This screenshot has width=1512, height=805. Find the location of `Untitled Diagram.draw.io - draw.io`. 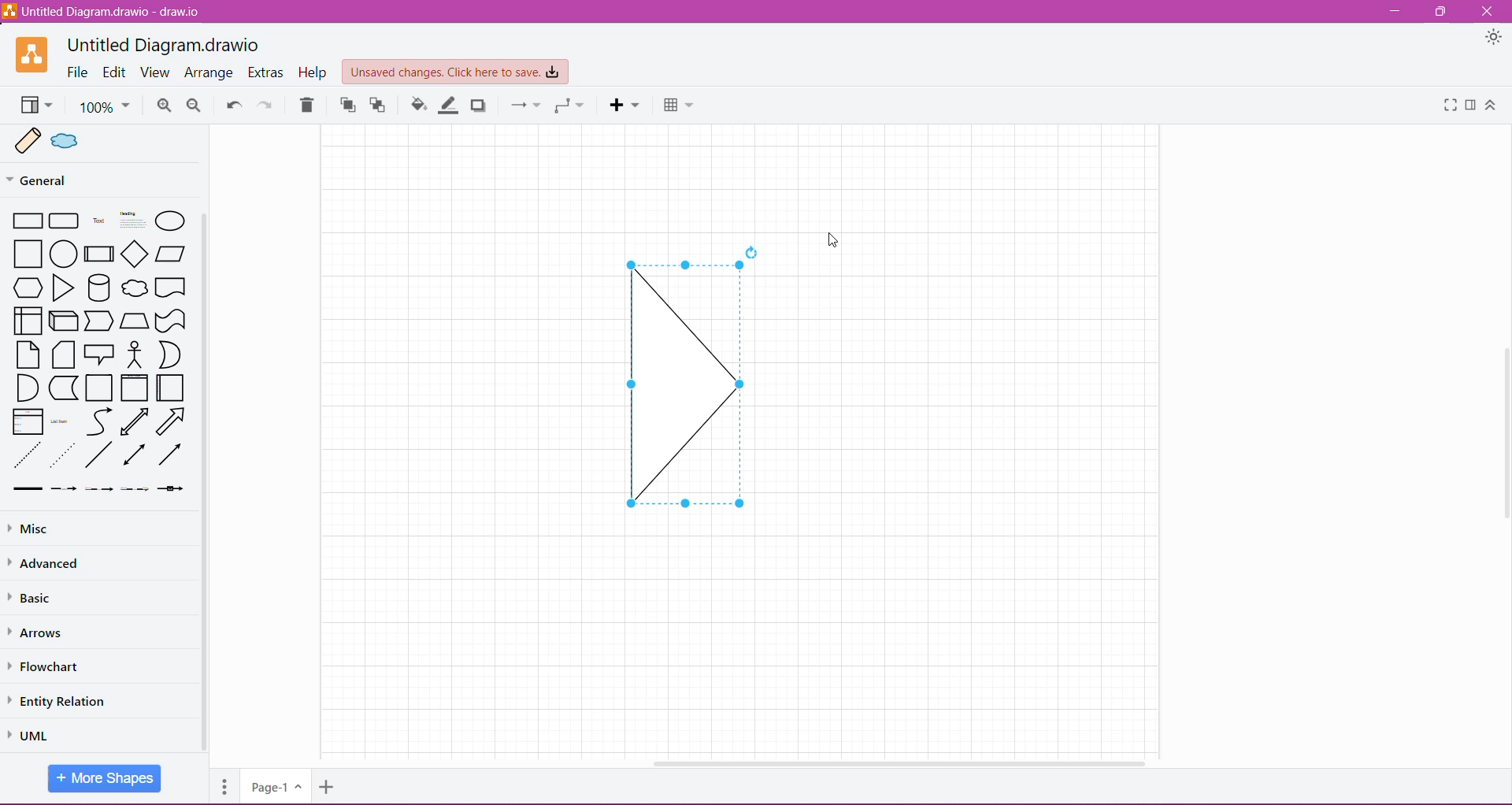

Untitled Diagram.draw.io - draw.io is located at coordinates (104, 11).